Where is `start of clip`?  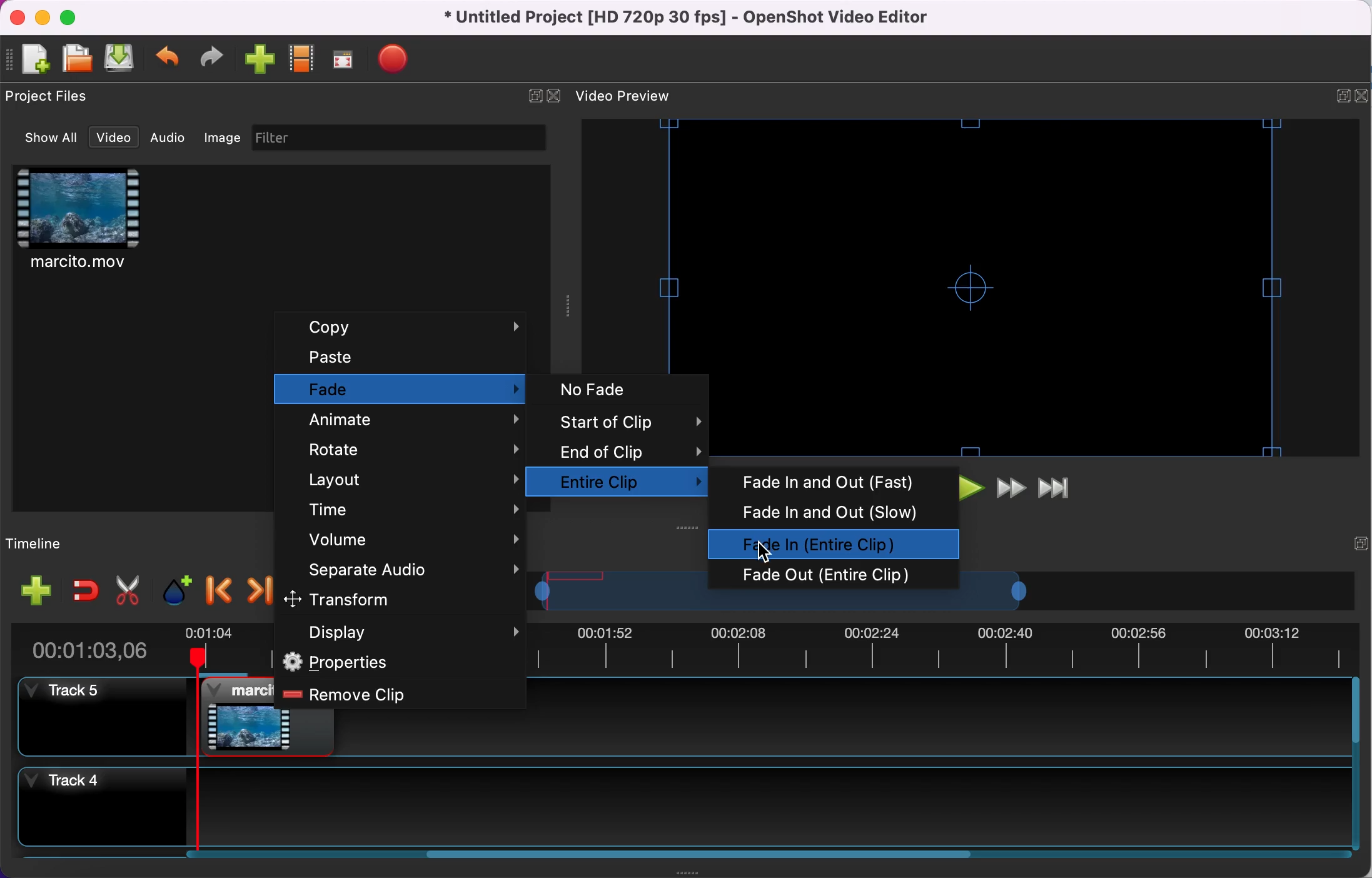
start of clip is located at coordinates (629, 420).